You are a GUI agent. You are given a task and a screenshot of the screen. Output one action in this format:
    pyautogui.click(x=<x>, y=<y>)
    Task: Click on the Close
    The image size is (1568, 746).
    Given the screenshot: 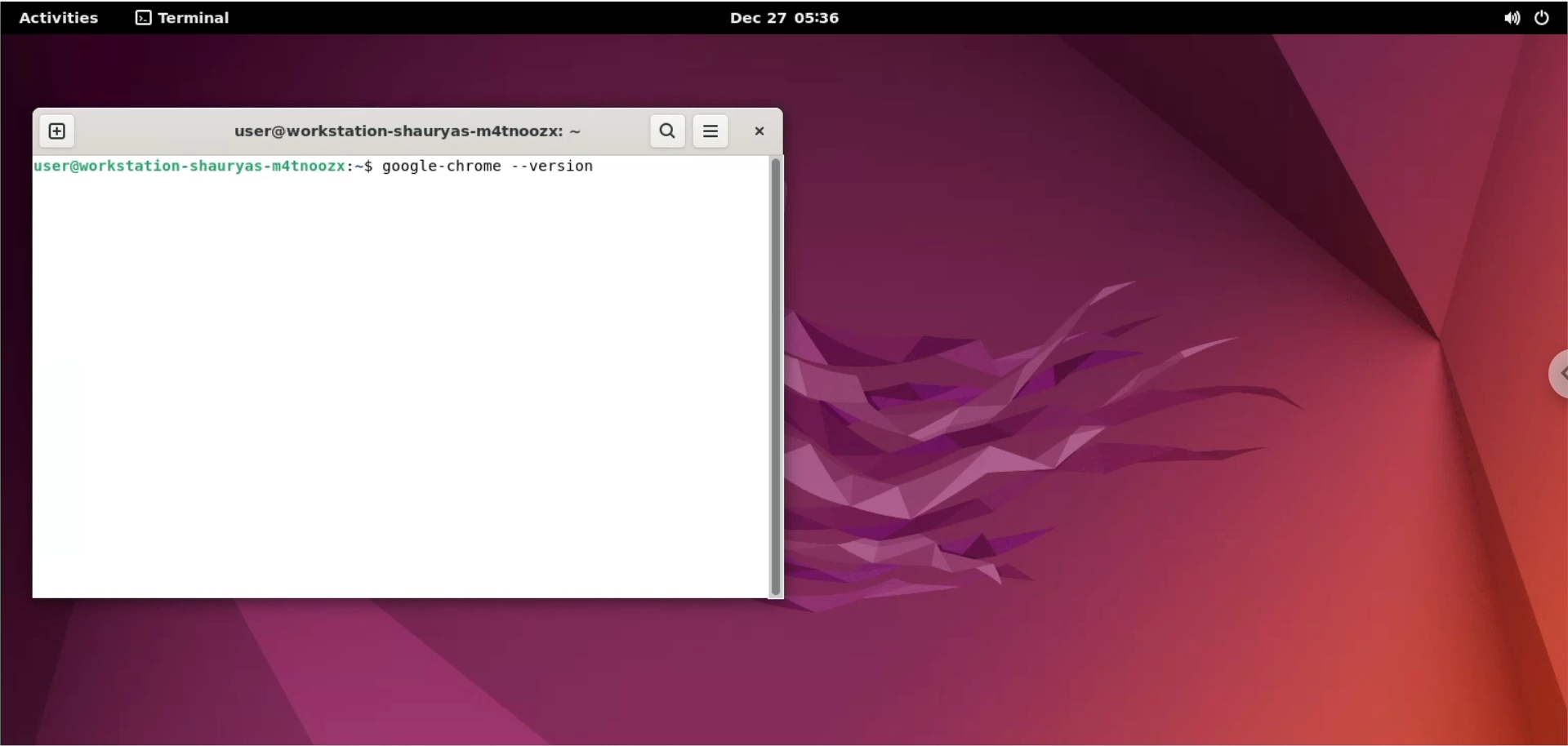 What is the action you would take?
    pyautogui.click(x=758, y=131)
    